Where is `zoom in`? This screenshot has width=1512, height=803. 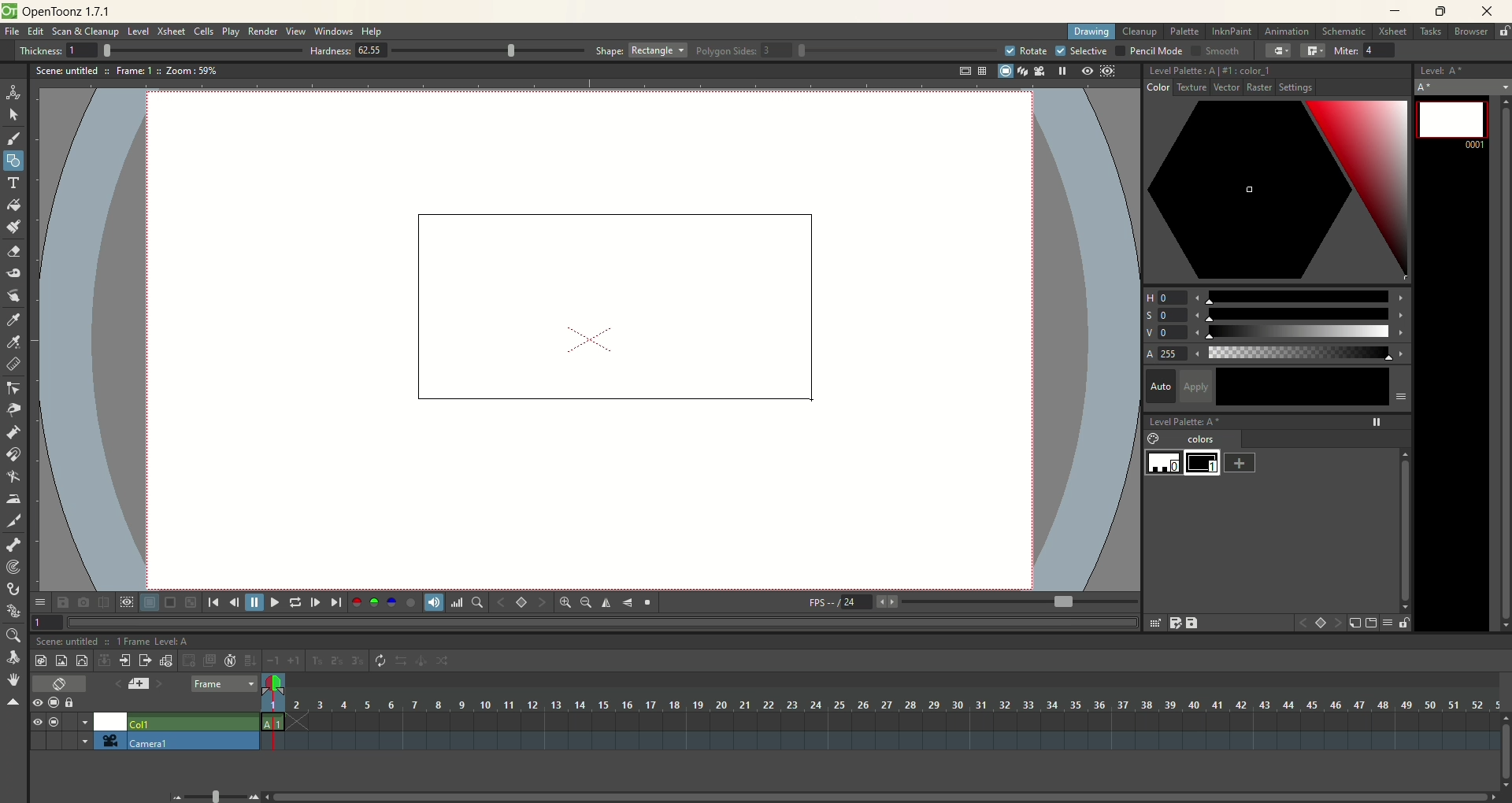
zoom in is located at coordinates (565, 602).